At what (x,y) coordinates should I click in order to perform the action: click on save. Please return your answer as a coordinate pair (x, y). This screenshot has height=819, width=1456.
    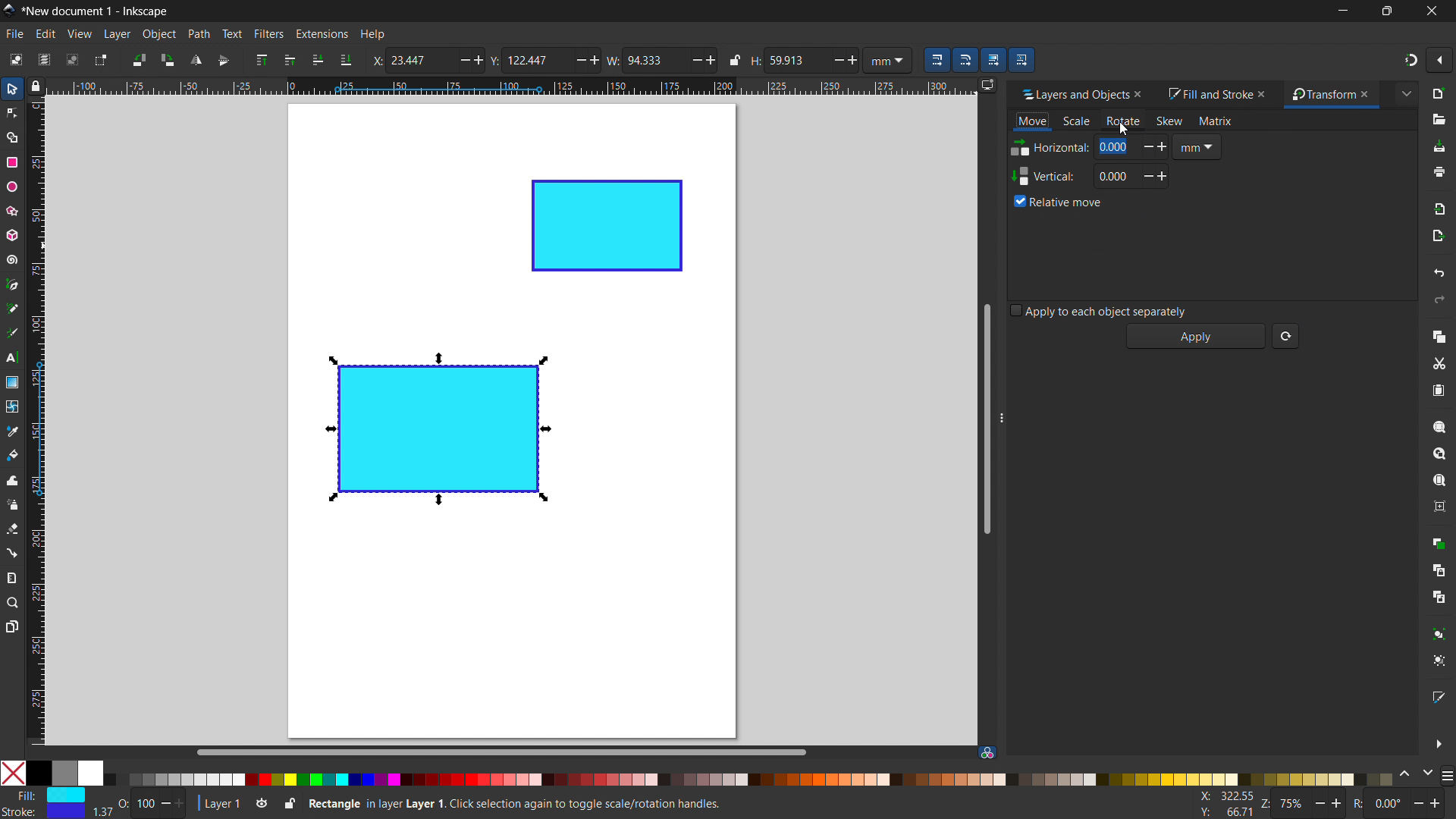
    Looking at the image, I should click on (1439, 147).